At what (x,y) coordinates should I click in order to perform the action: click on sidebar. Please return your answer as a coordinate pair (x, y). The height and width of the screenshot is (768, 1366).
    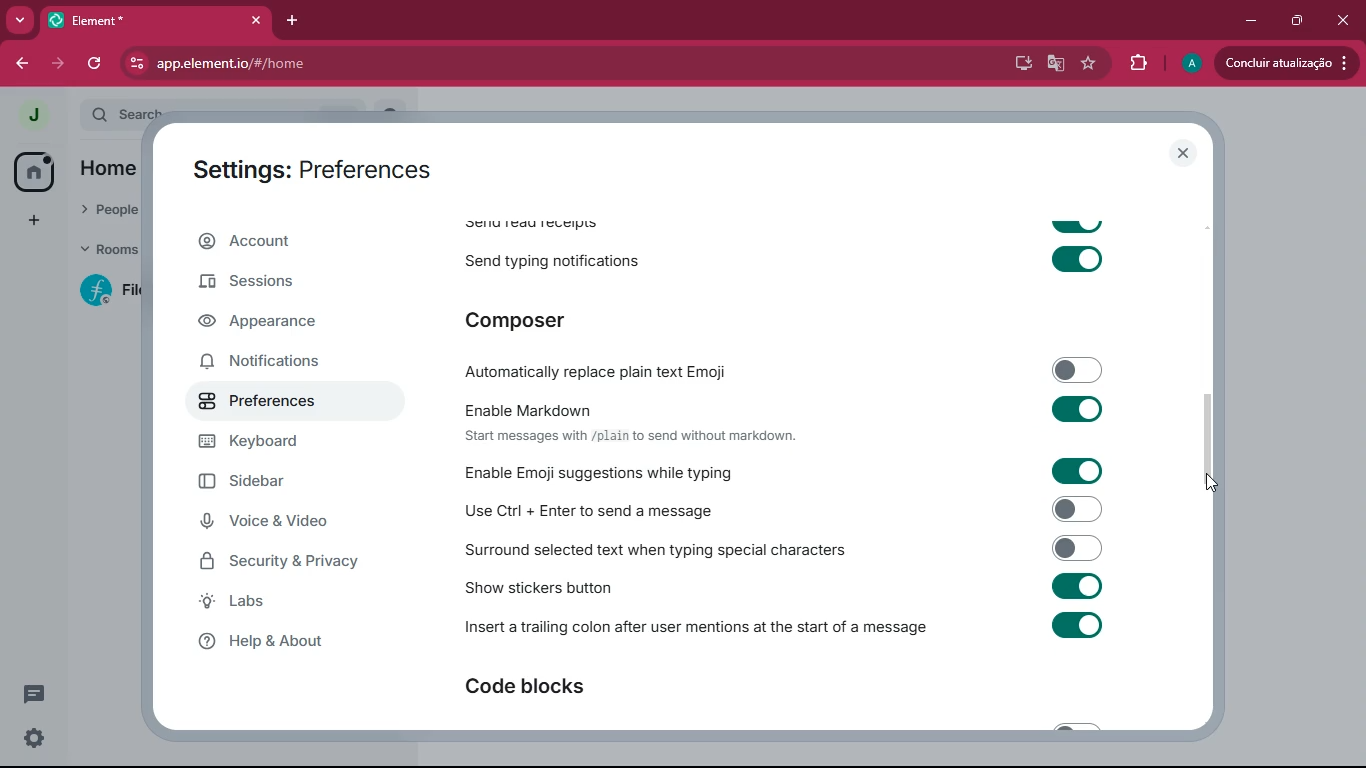
    Looking at the image, I should click on (282, 484).